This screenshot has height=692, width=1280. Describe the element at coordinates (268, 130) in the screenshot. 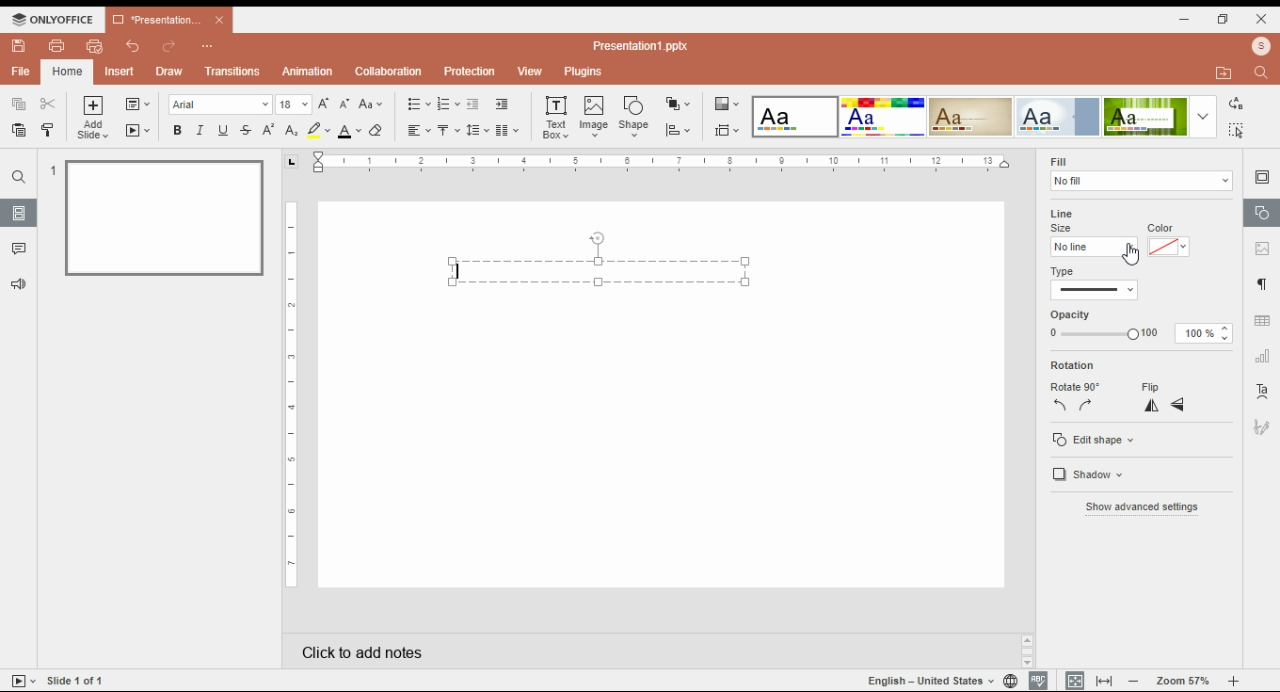

I see `superscript` at that location.